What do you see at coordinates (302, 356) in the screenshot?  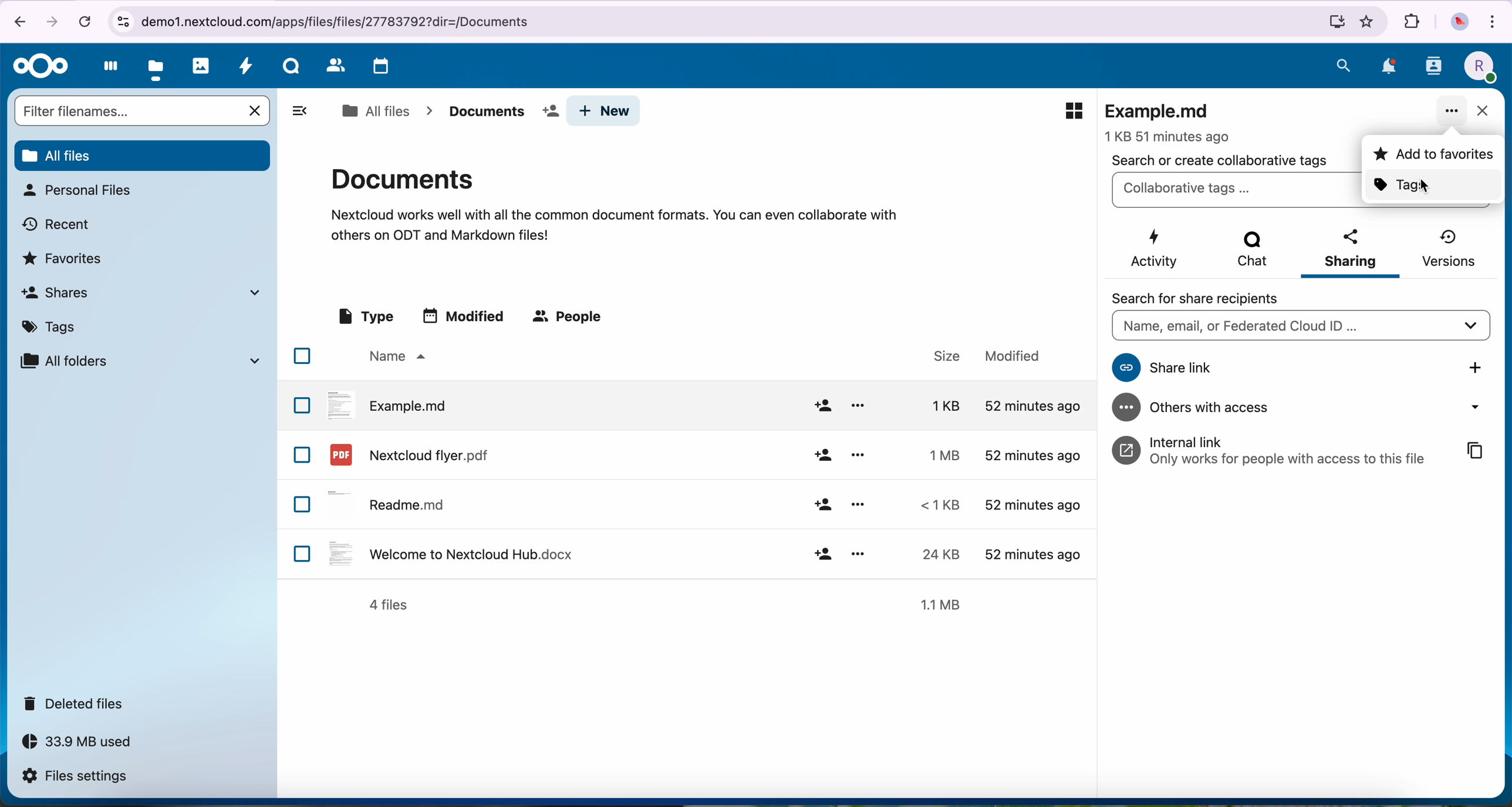 I see `checkbox` at bounding box center [302, 356].